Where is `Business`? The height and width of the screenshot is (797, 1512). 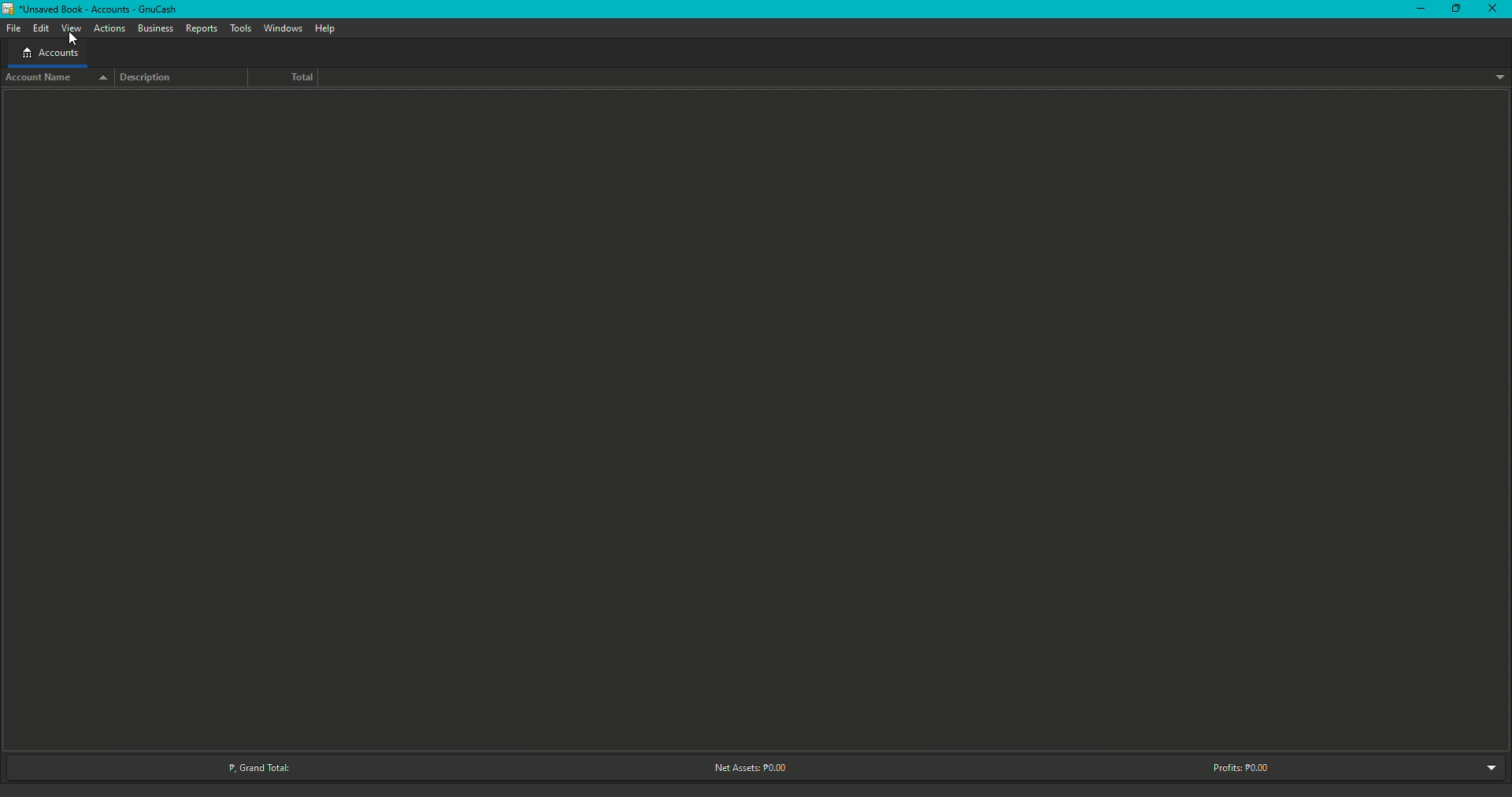 Business is located at coordinates (155, 28).